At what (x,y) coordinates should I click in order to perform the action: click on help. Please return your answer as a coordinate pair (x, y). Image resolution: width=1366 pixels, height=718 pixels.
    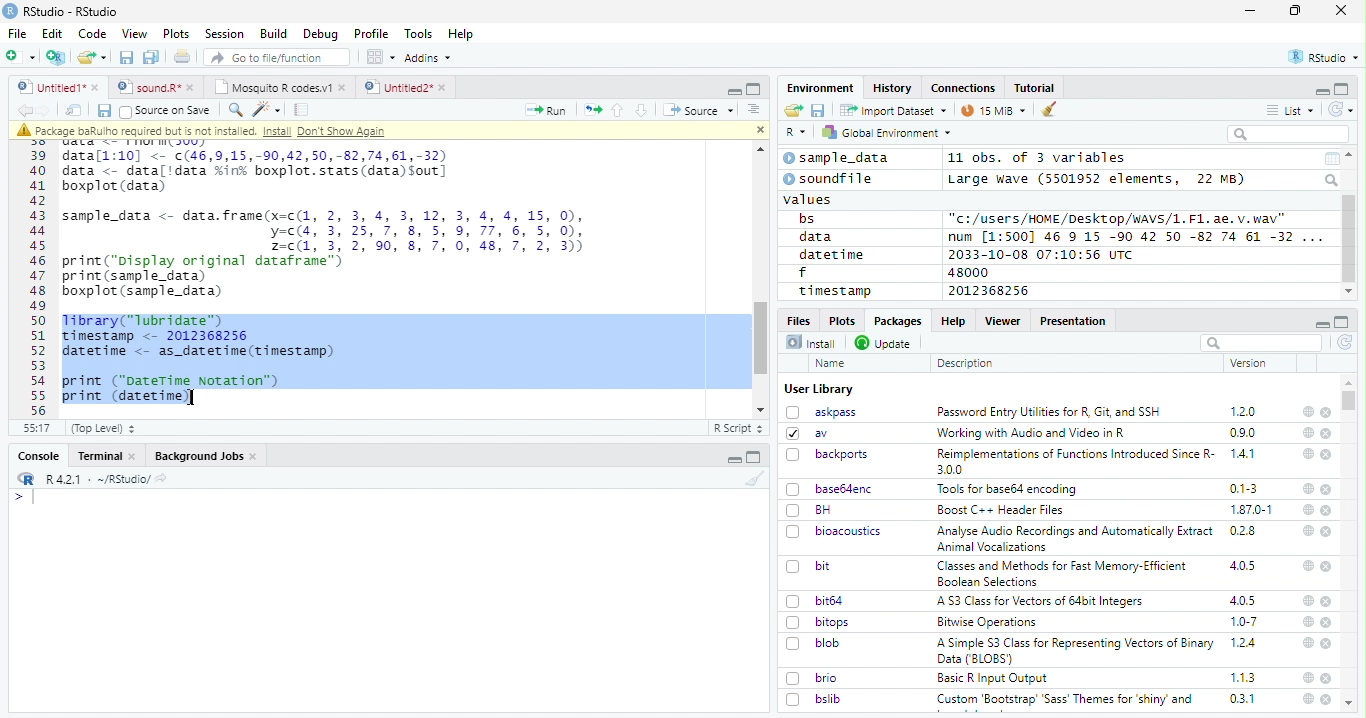
    Looking at the image, I should click on (1308, 432).